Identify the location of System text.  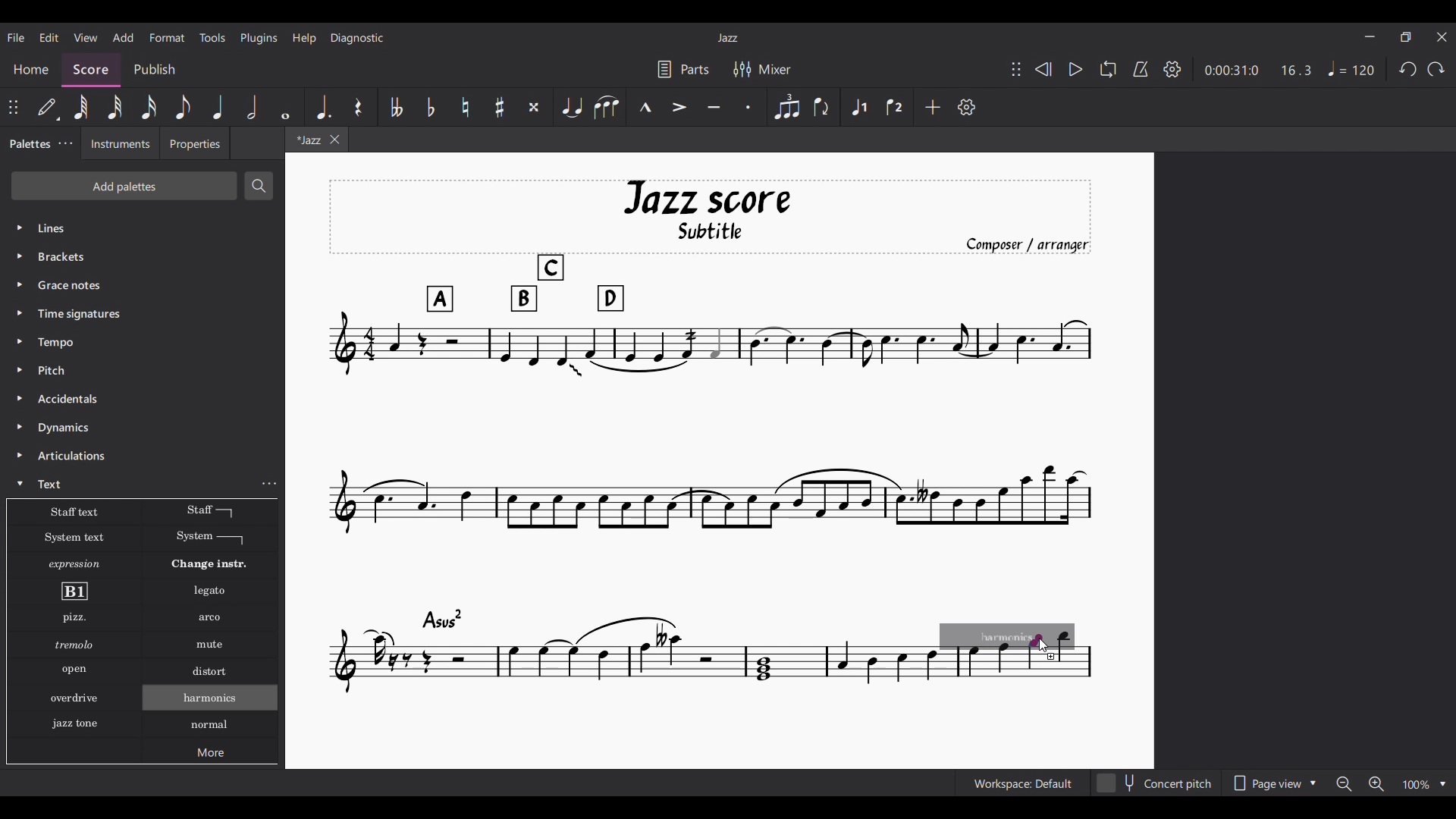
(74, 537).